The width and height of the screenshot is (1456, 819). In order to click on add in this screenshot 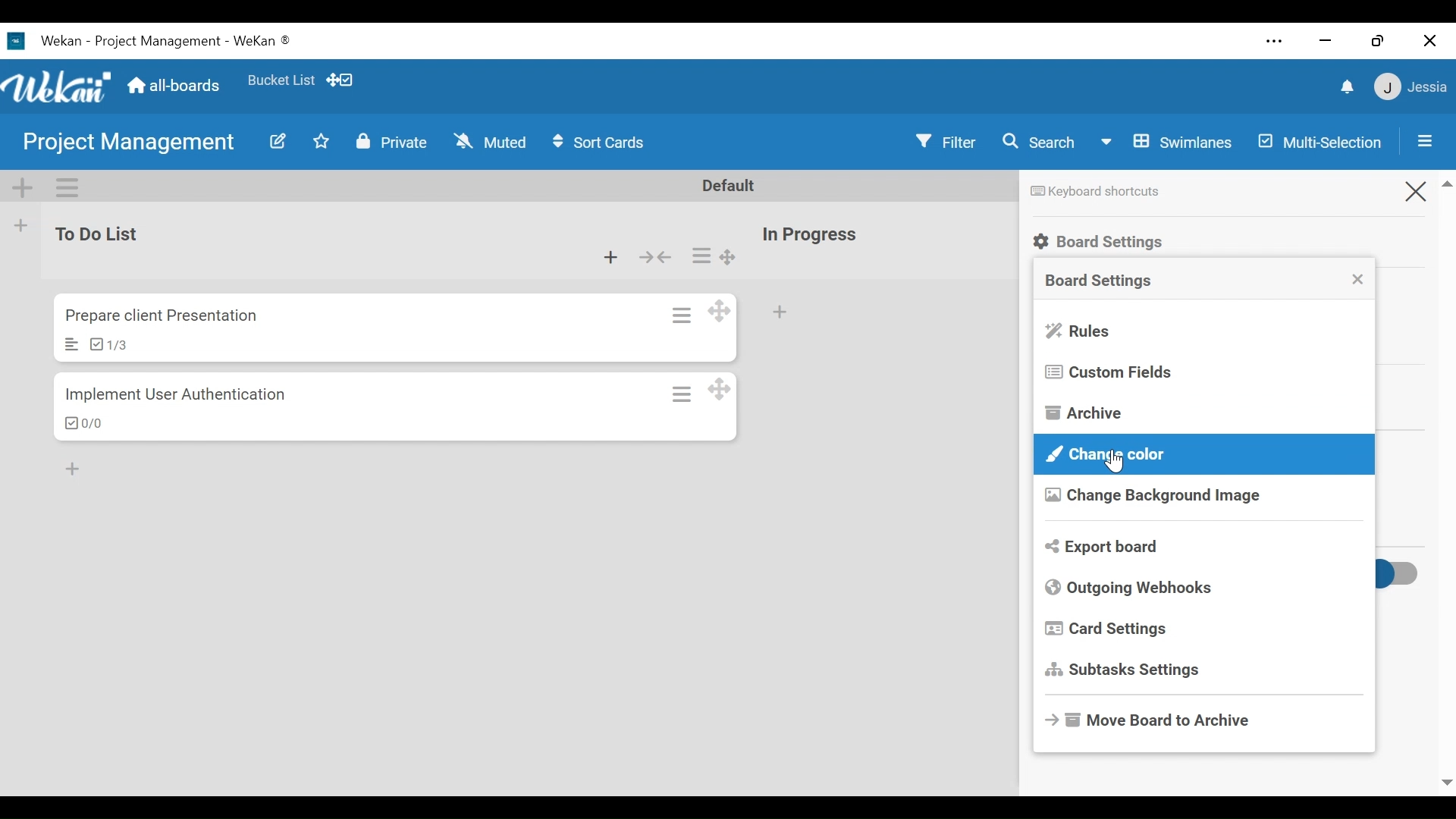, I will do `click(80, 466)`.